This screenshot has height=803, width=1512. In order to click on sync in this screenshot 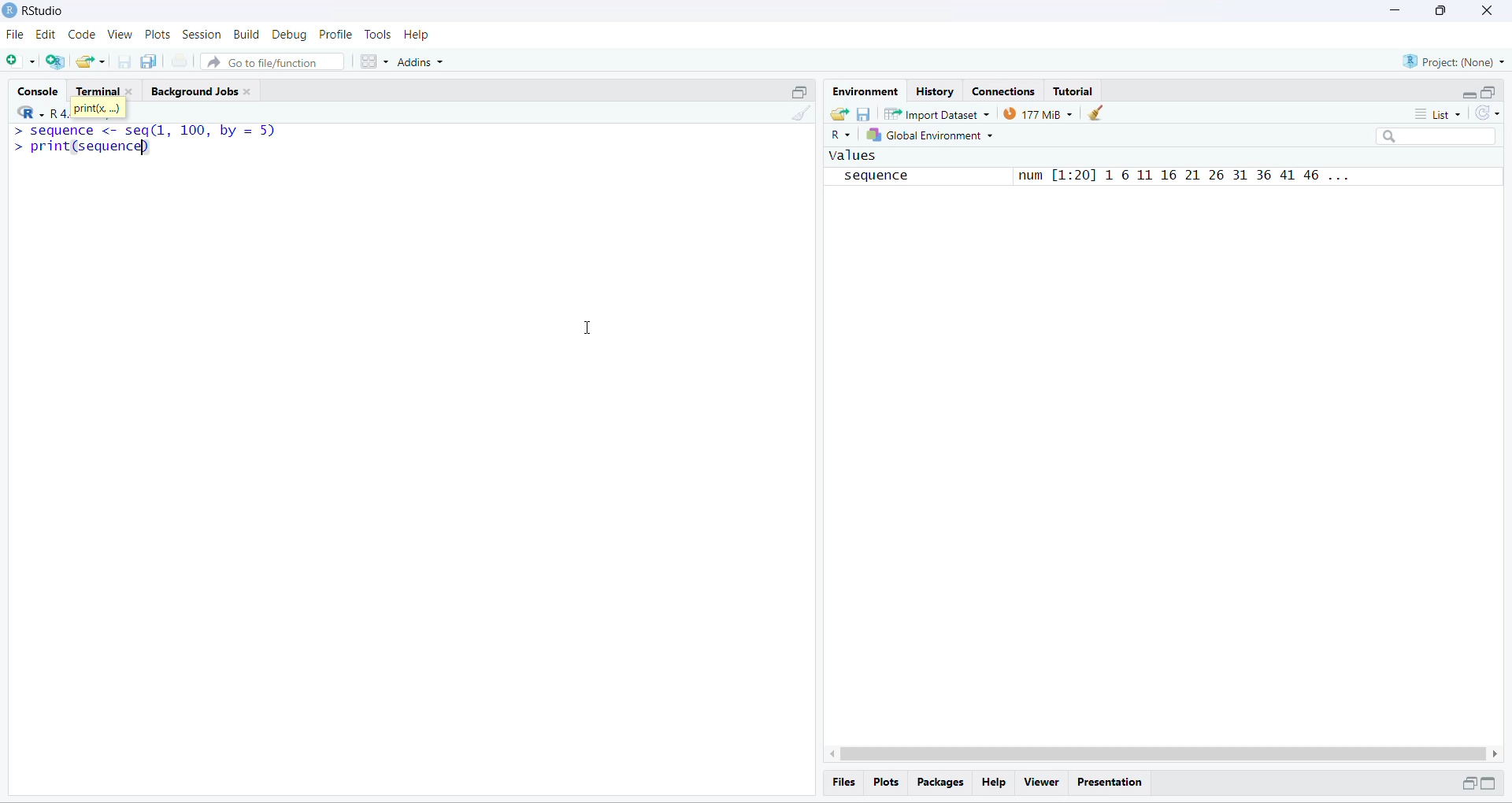, I will do `click(1488, 113)`.